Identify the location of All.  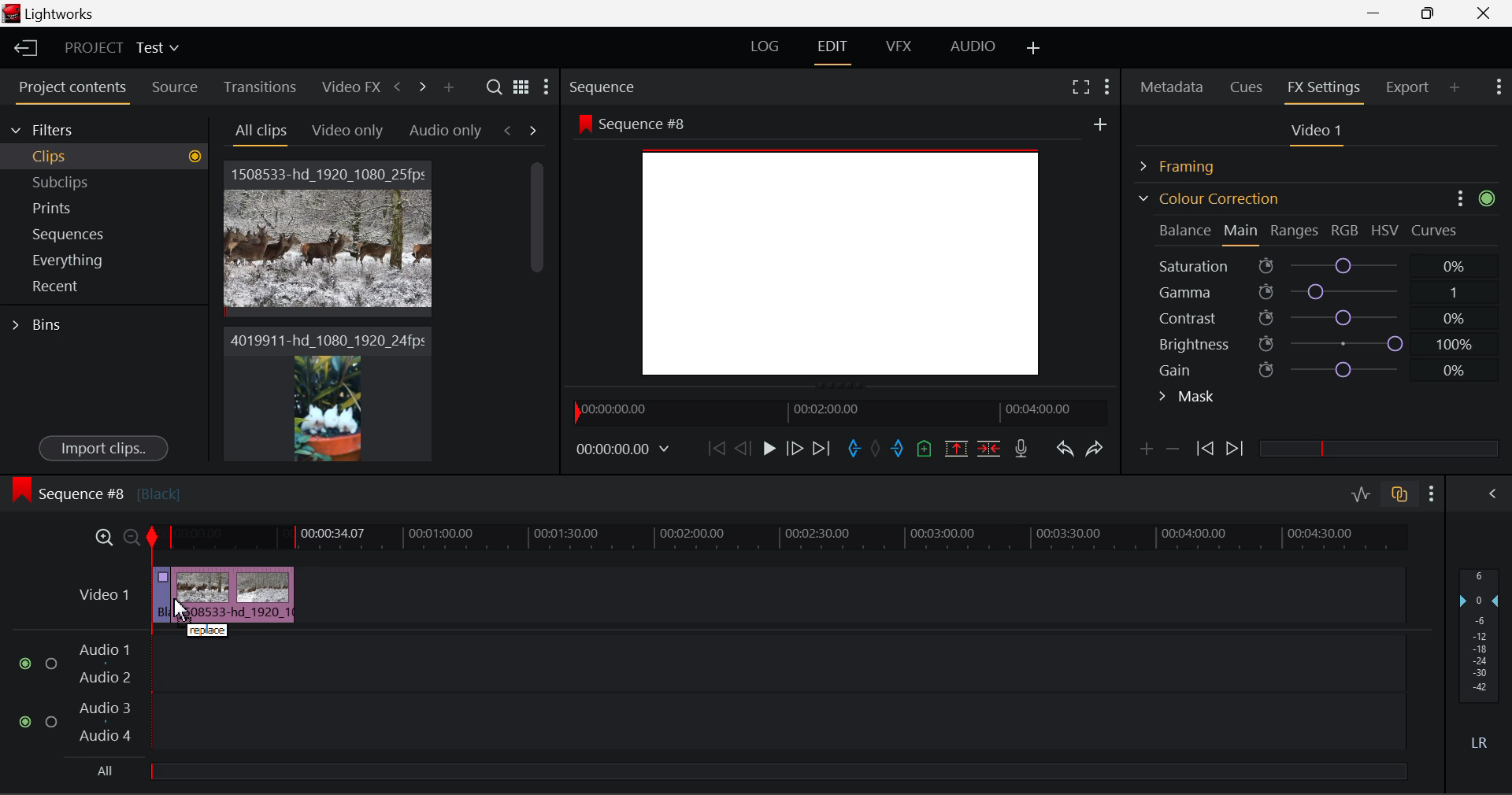
(101, 771).